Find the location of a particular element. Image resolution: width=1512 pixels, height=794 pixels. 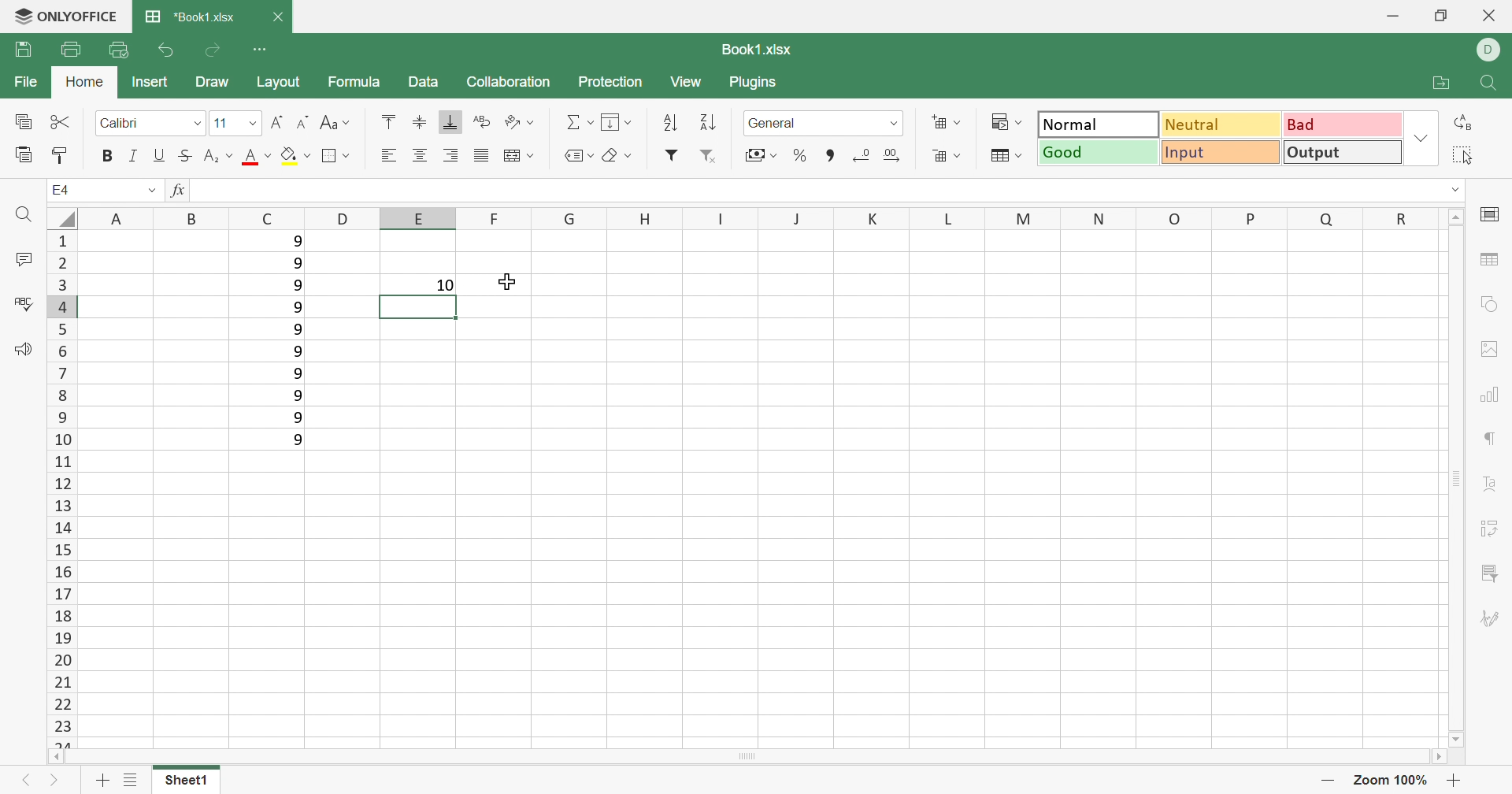

Scroll Down is located at coordinates (1456, 737).